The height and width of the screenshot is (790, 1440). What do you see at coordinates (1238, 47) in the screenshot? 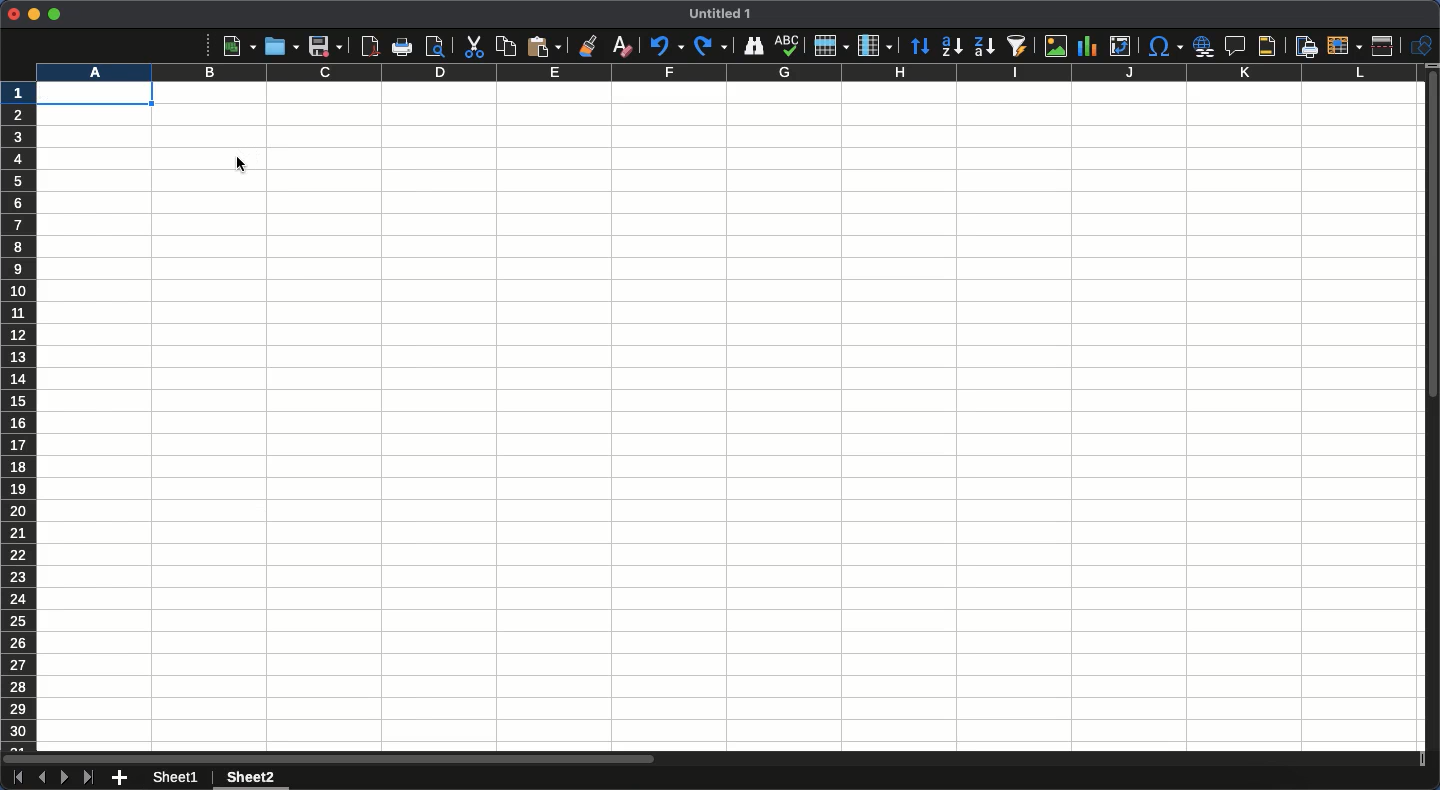
I see `Insert comment` at bounding box center [1238, 47].